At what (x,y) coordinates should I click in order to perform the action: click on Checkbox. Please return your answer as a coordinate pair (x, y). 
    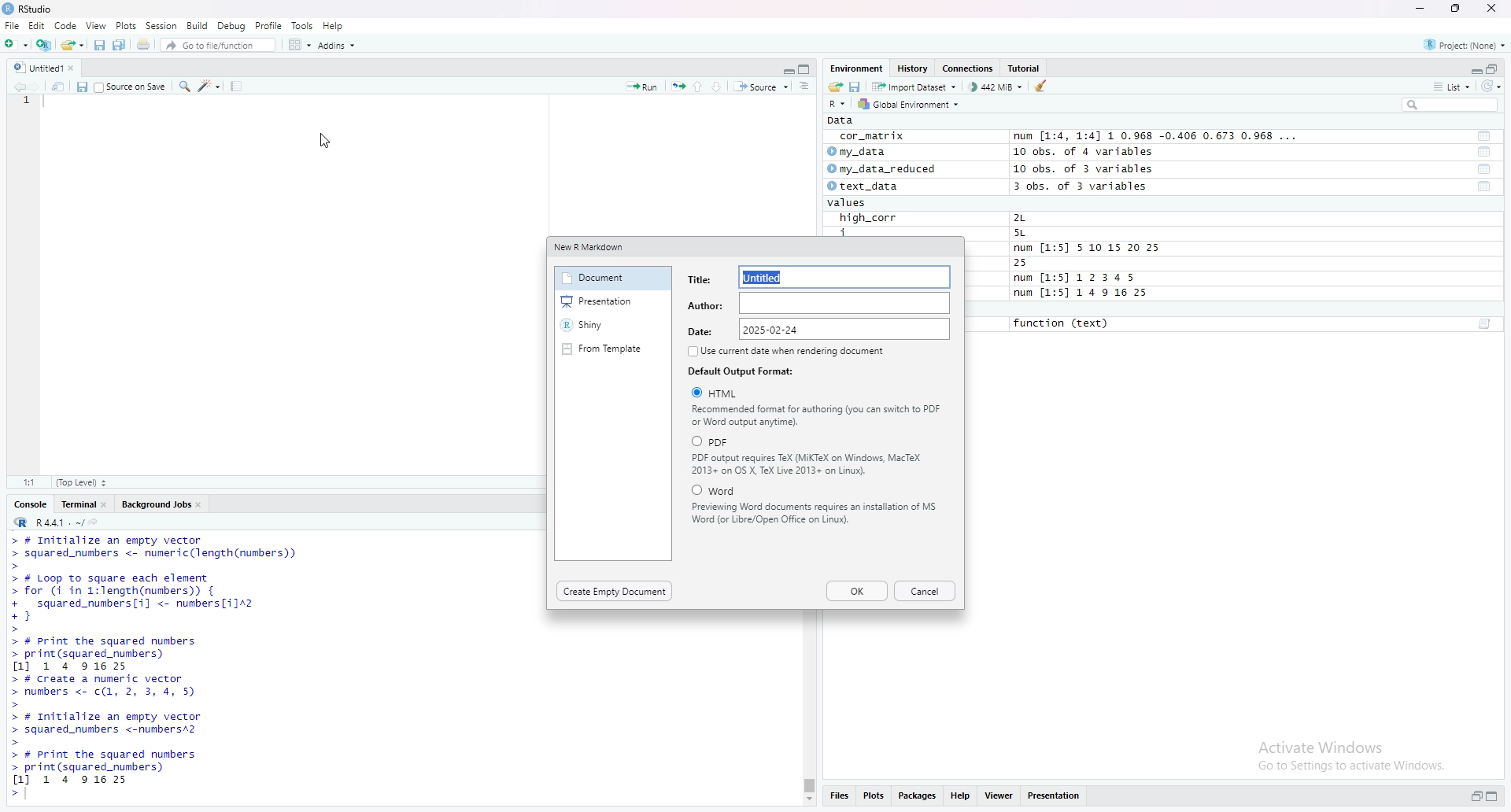
    Looking at the image, I should click on (694, 489).